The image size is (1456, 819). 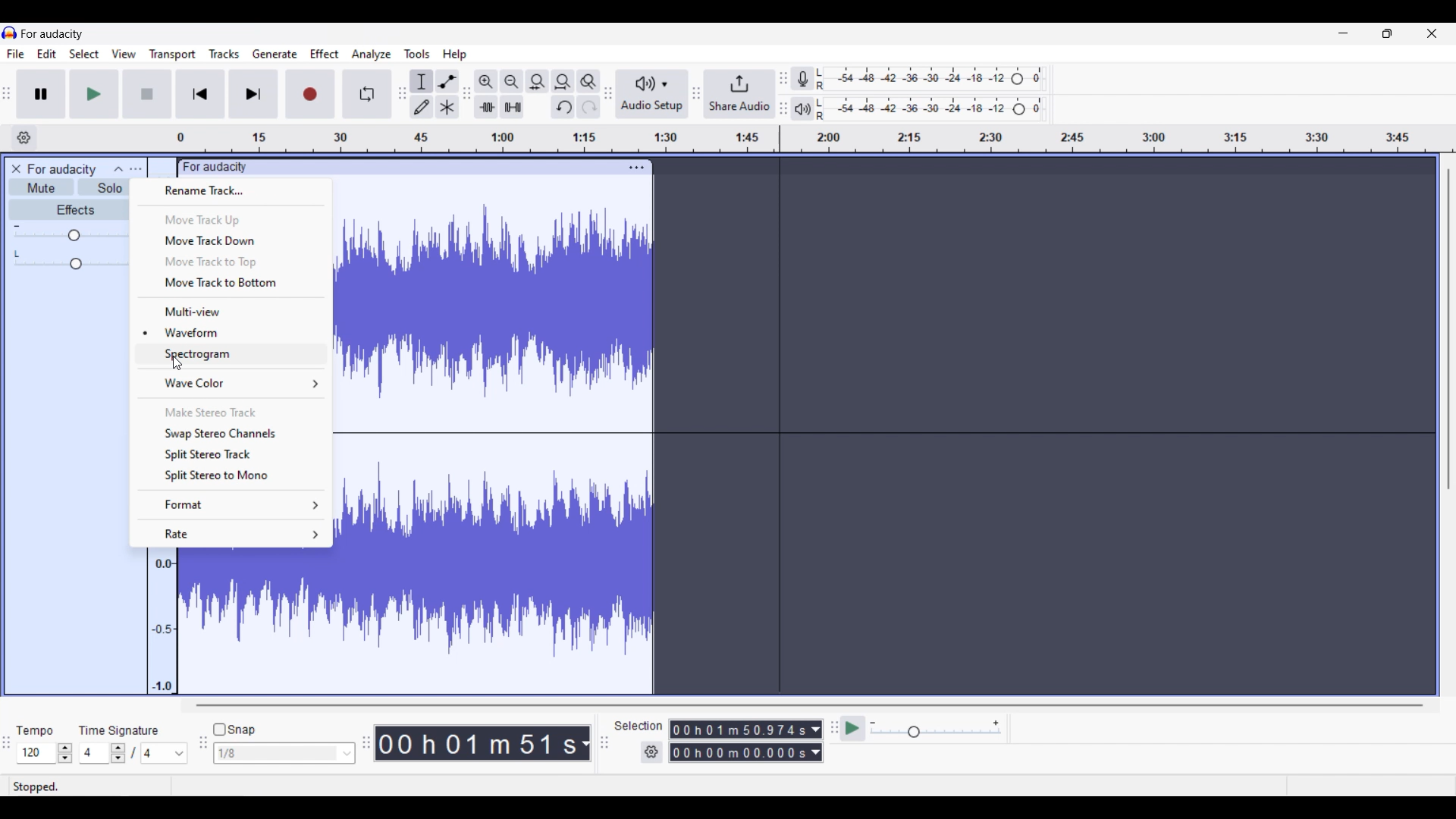 What do you see at coordinates (37, 786) in the screenshot?
I see `stopped` at bounding box center [37, 786].